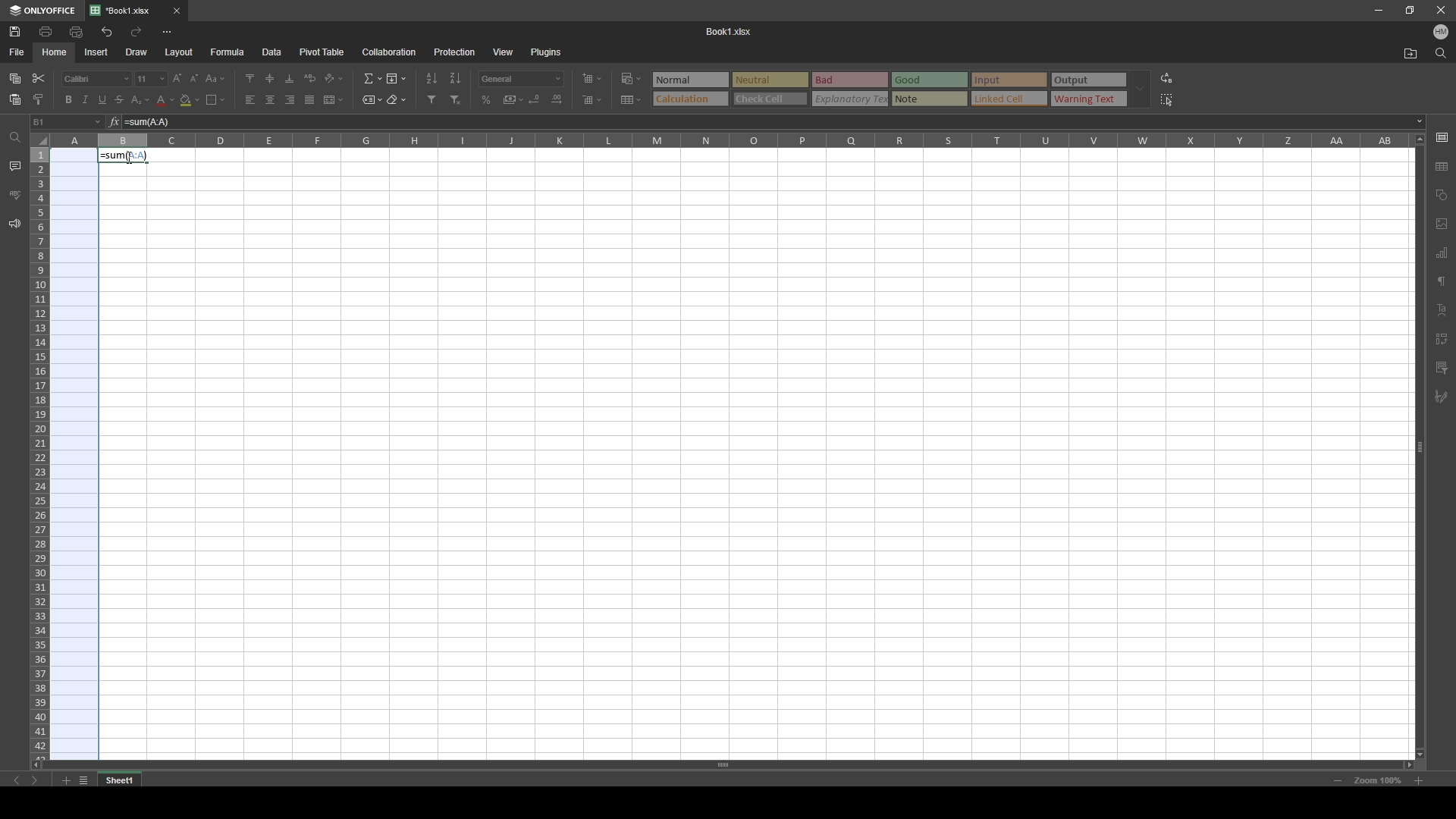  Describe the element at coordinates (102, 100) in the screenshot. I see `underline` at that location.